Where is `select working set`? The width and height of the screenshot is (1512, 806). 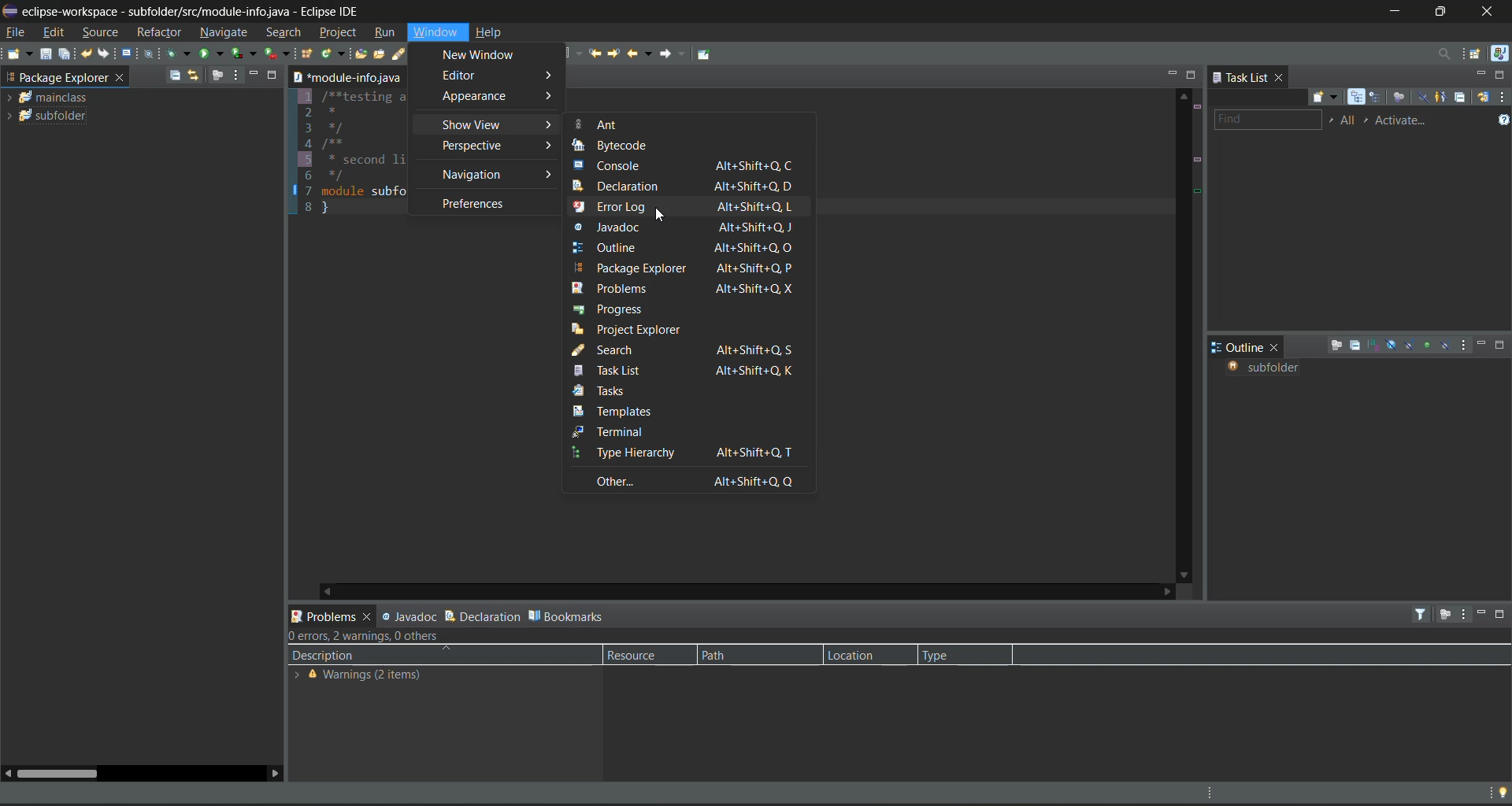 select working set is located at coordinates (1332, 123).